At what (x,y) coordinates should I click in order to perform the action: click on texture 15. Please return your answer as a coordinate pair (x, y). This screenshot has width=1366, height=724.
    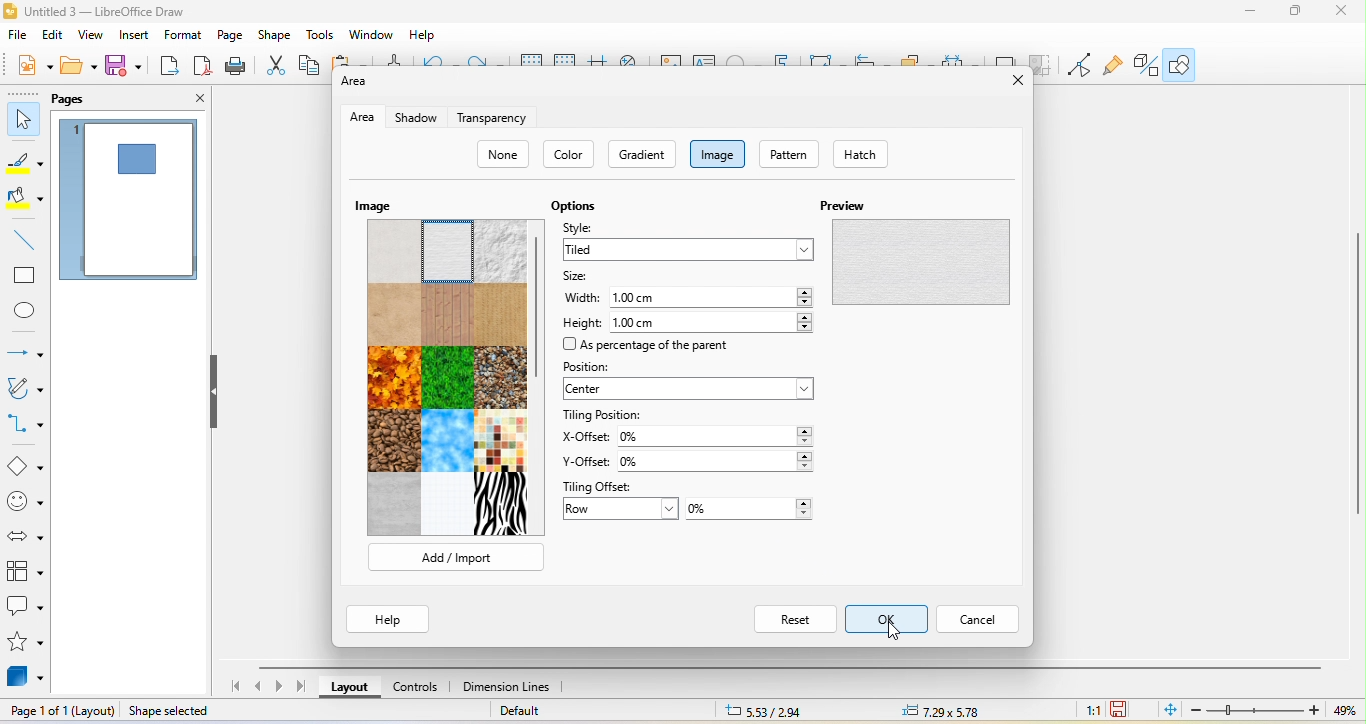
    Looking at the image, I should click on (502, 504).